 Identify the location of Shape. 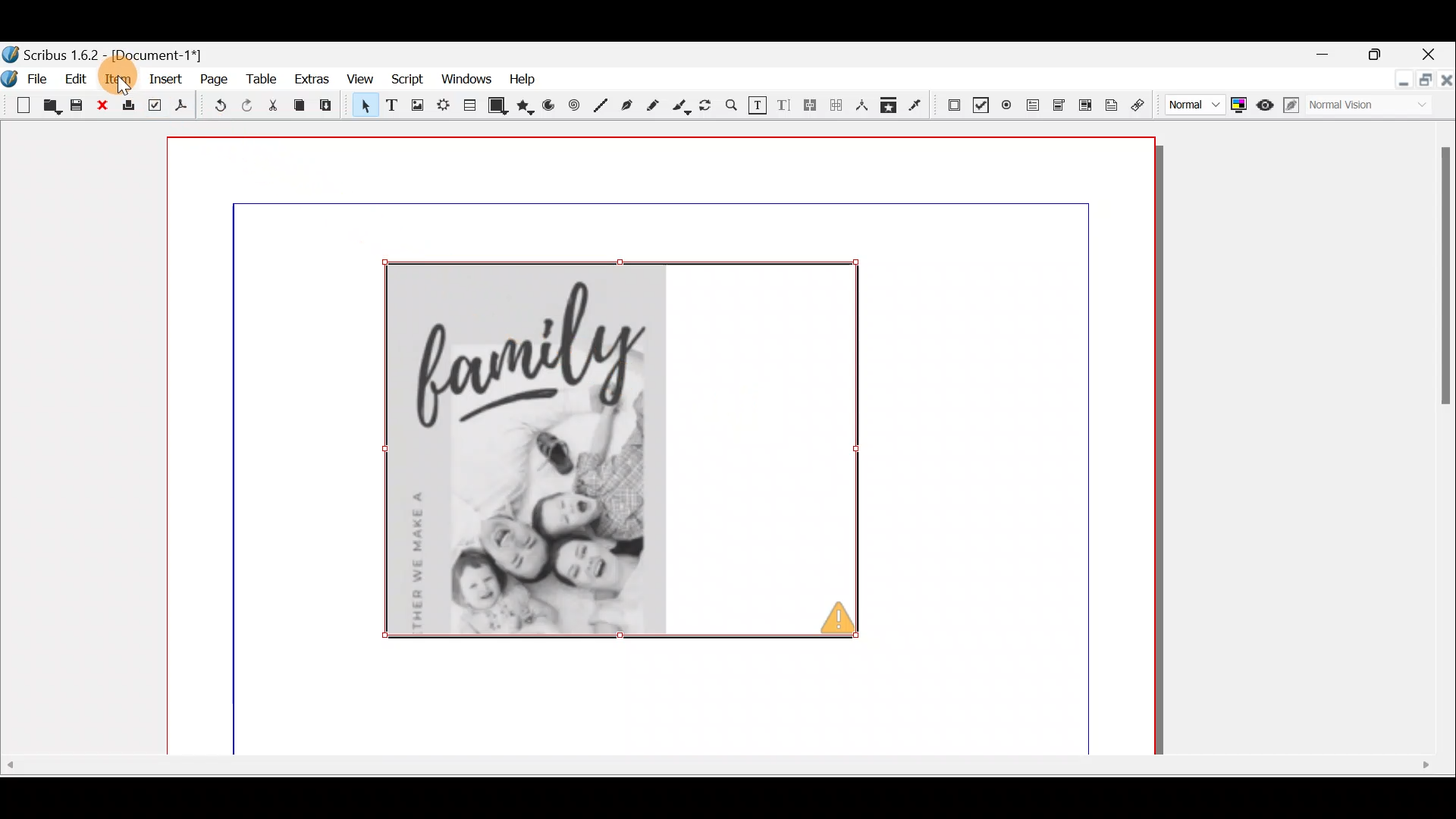
(498, 106).